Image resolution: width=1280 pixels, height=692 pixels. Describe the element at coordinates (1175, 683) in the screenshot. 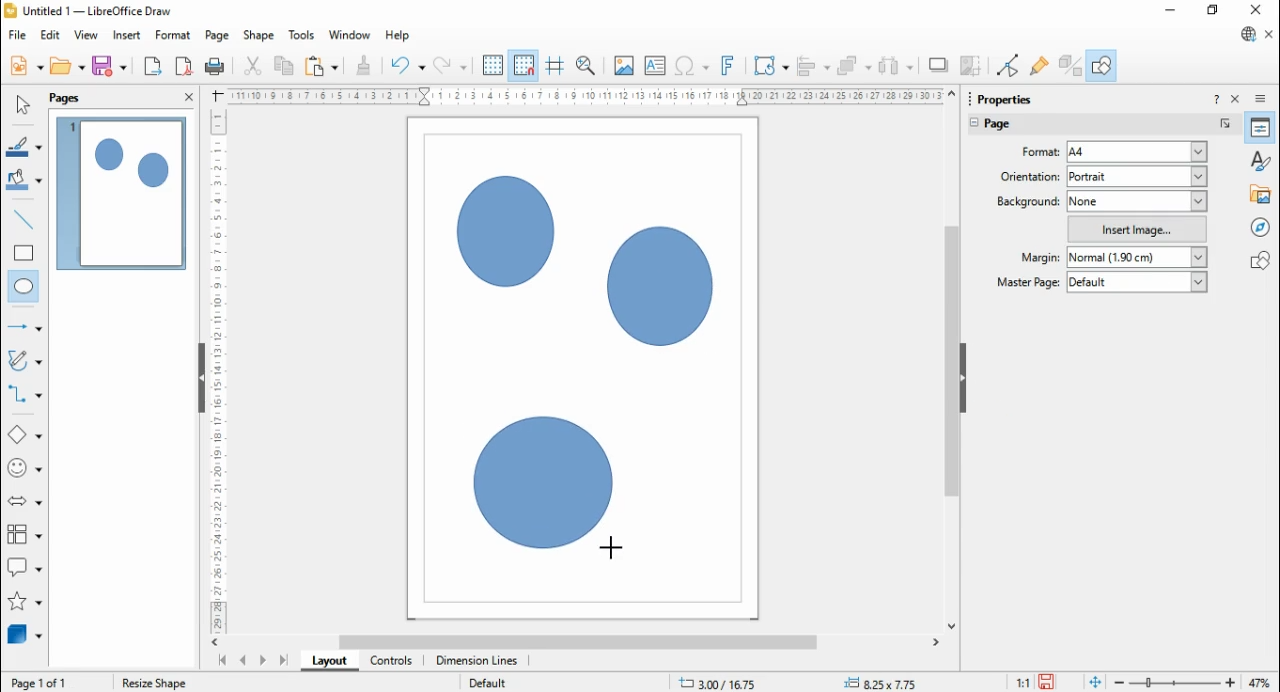

I see `zoom slider` at that location.